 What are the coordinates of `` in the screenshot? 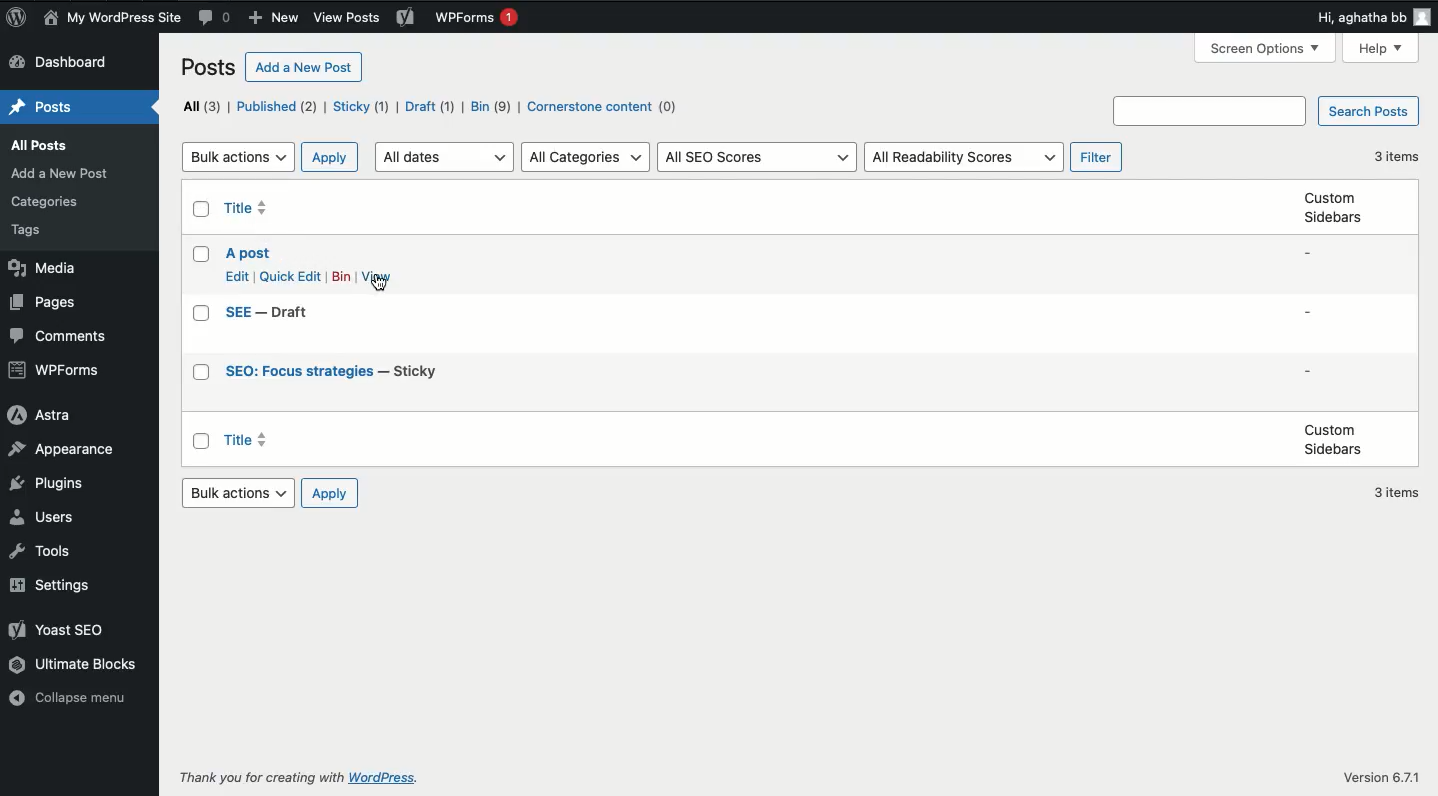 It's located at (38, 143).